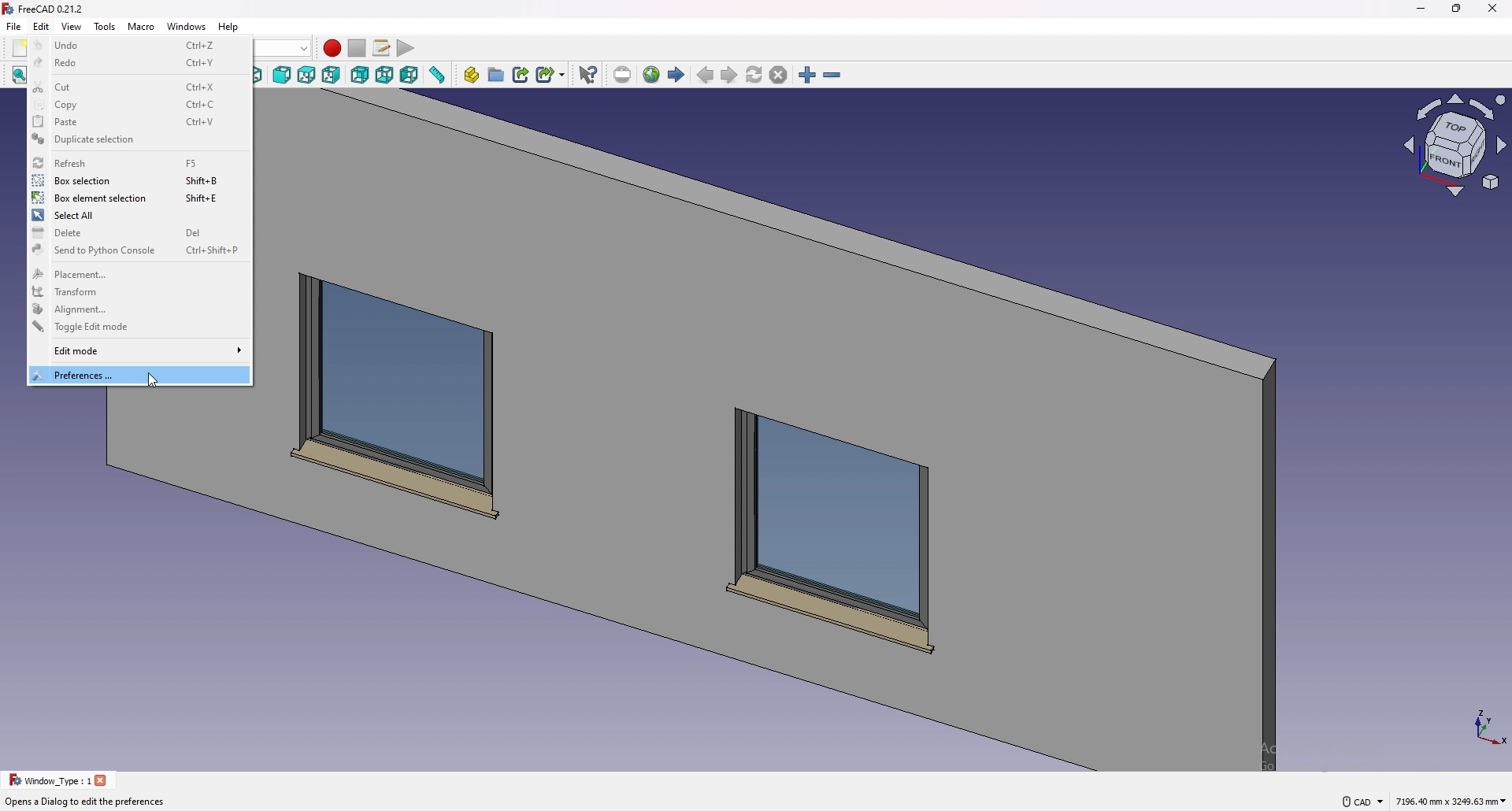  What do you see at coordinates (102, 780) in the screenshot?
I see `close` at bounding box center [102, 780].